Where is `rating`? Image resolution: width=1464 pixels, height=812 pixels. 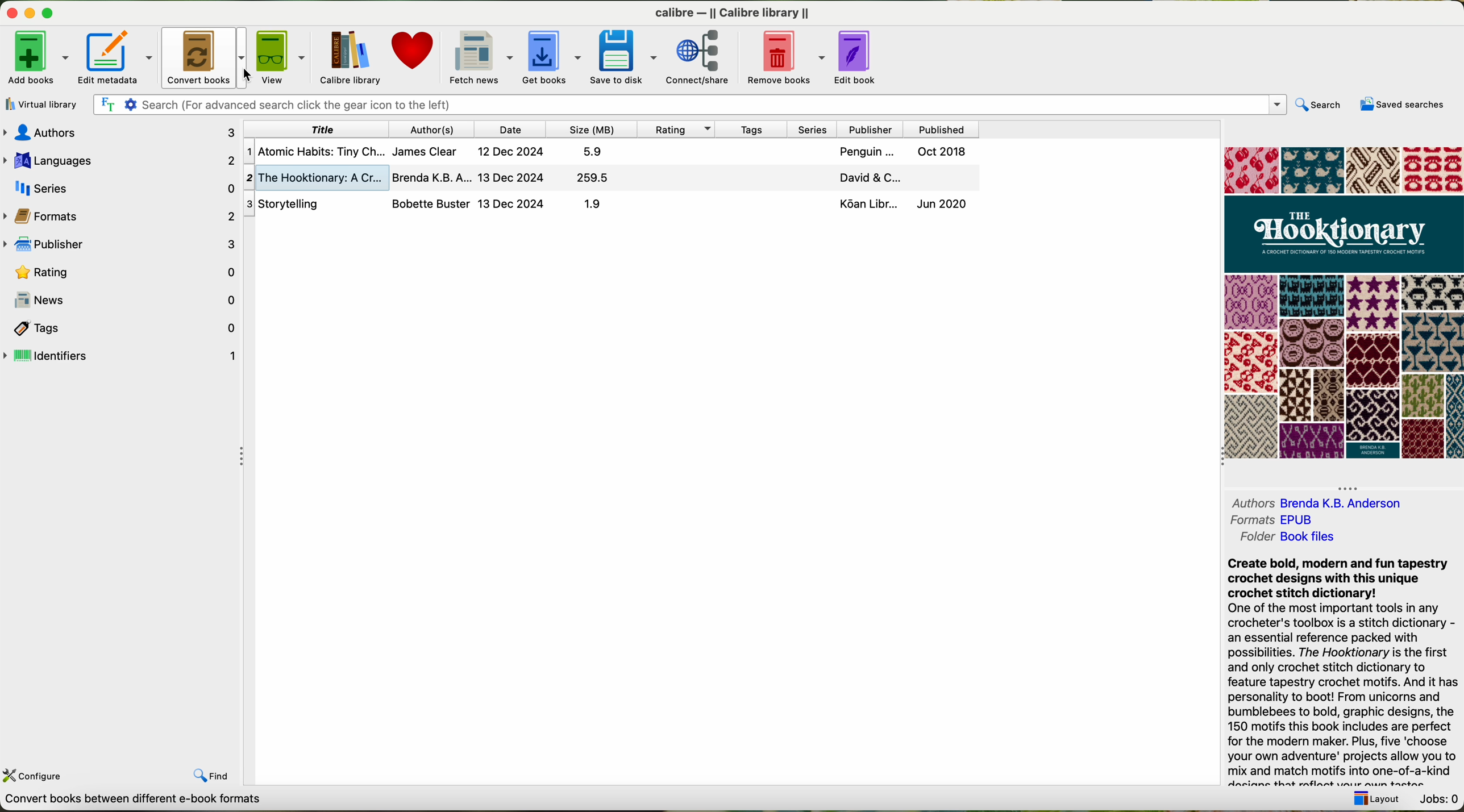
rating is located at coordinates (676, 129).